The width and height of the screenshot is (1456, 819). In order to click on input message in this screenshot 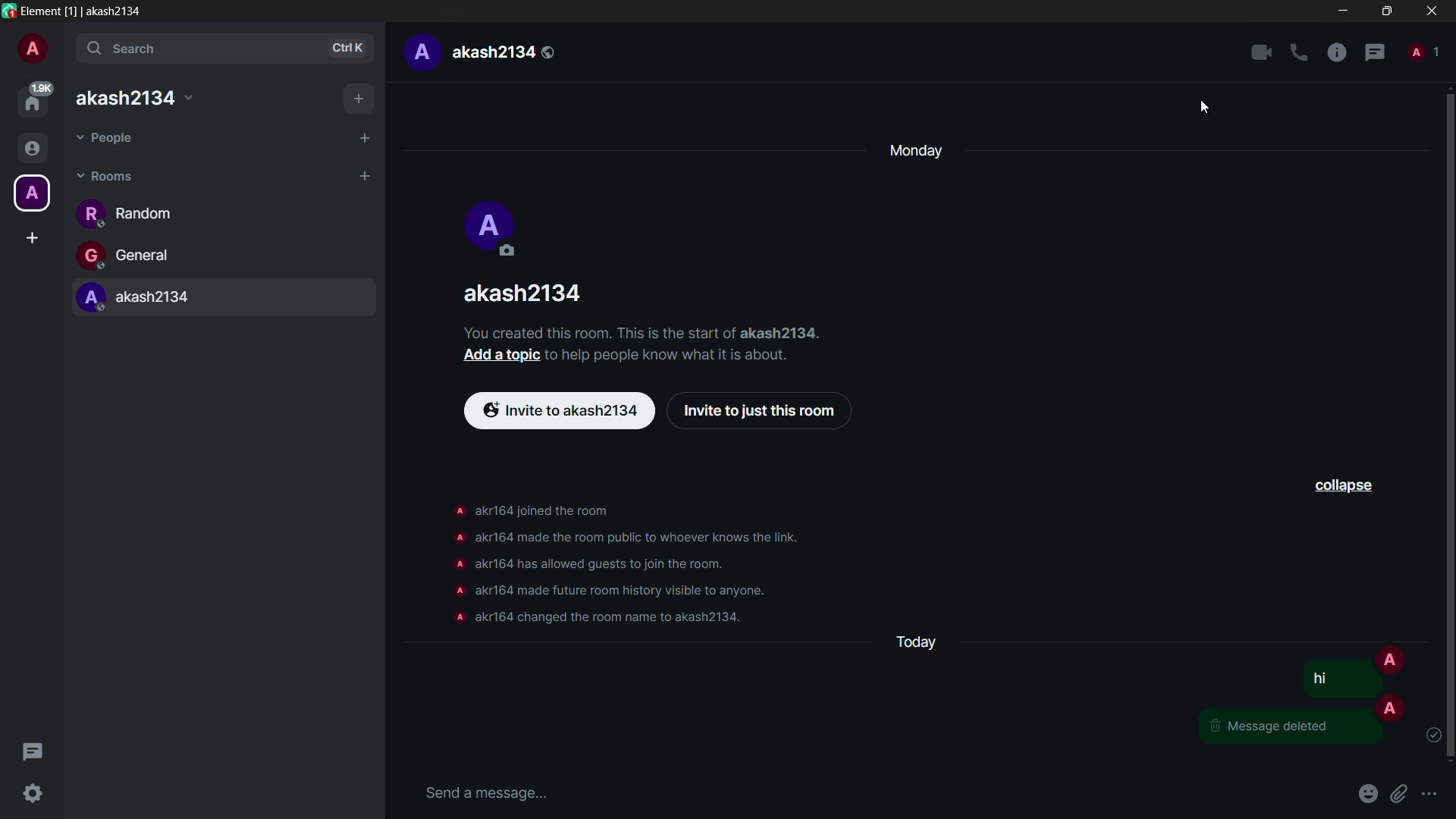, I will do `click(485, 792)`.